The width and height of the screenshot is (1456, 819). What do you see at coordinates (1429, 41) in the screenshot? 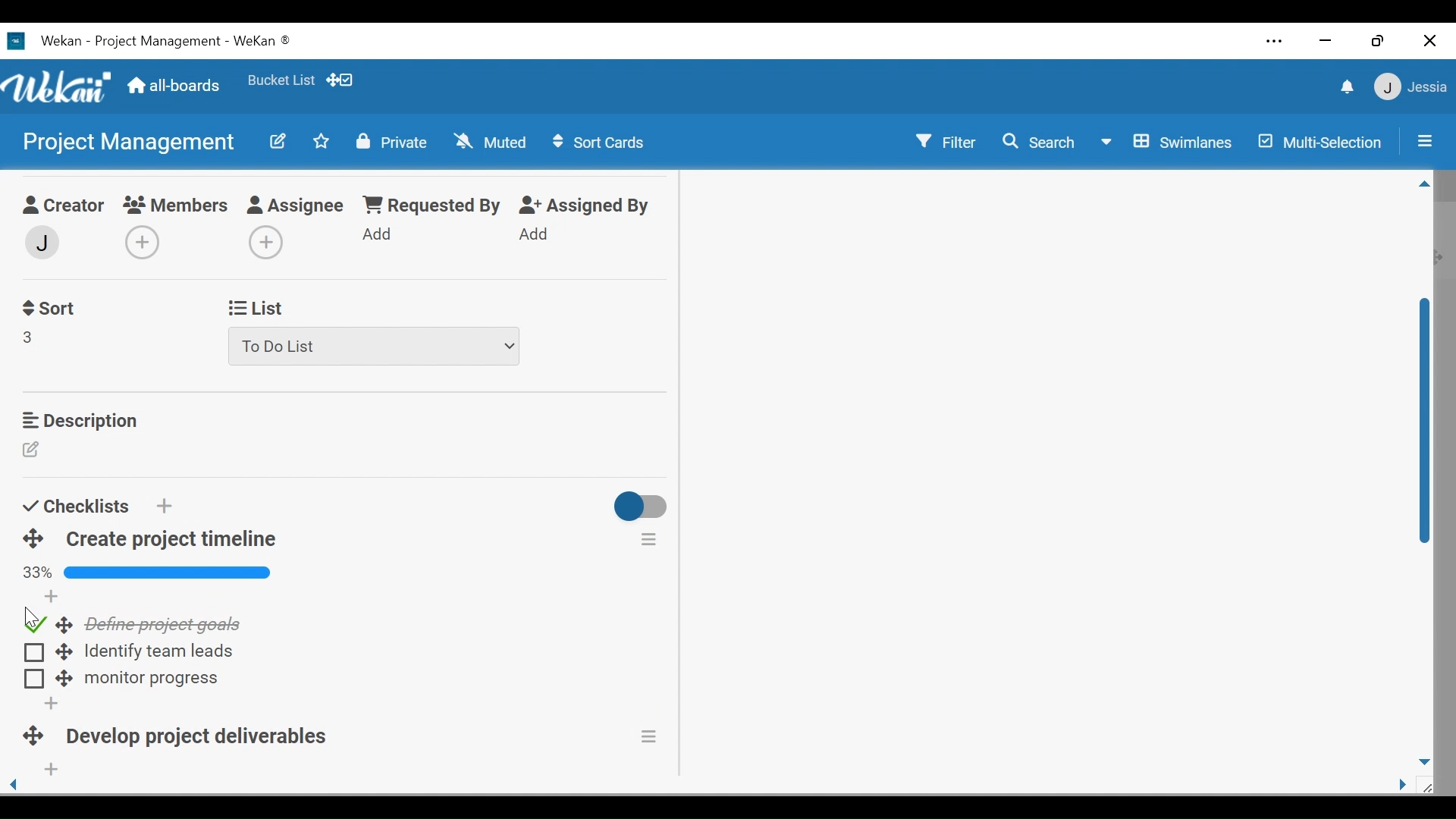
I see `close` at bounding box center [1429, 41].